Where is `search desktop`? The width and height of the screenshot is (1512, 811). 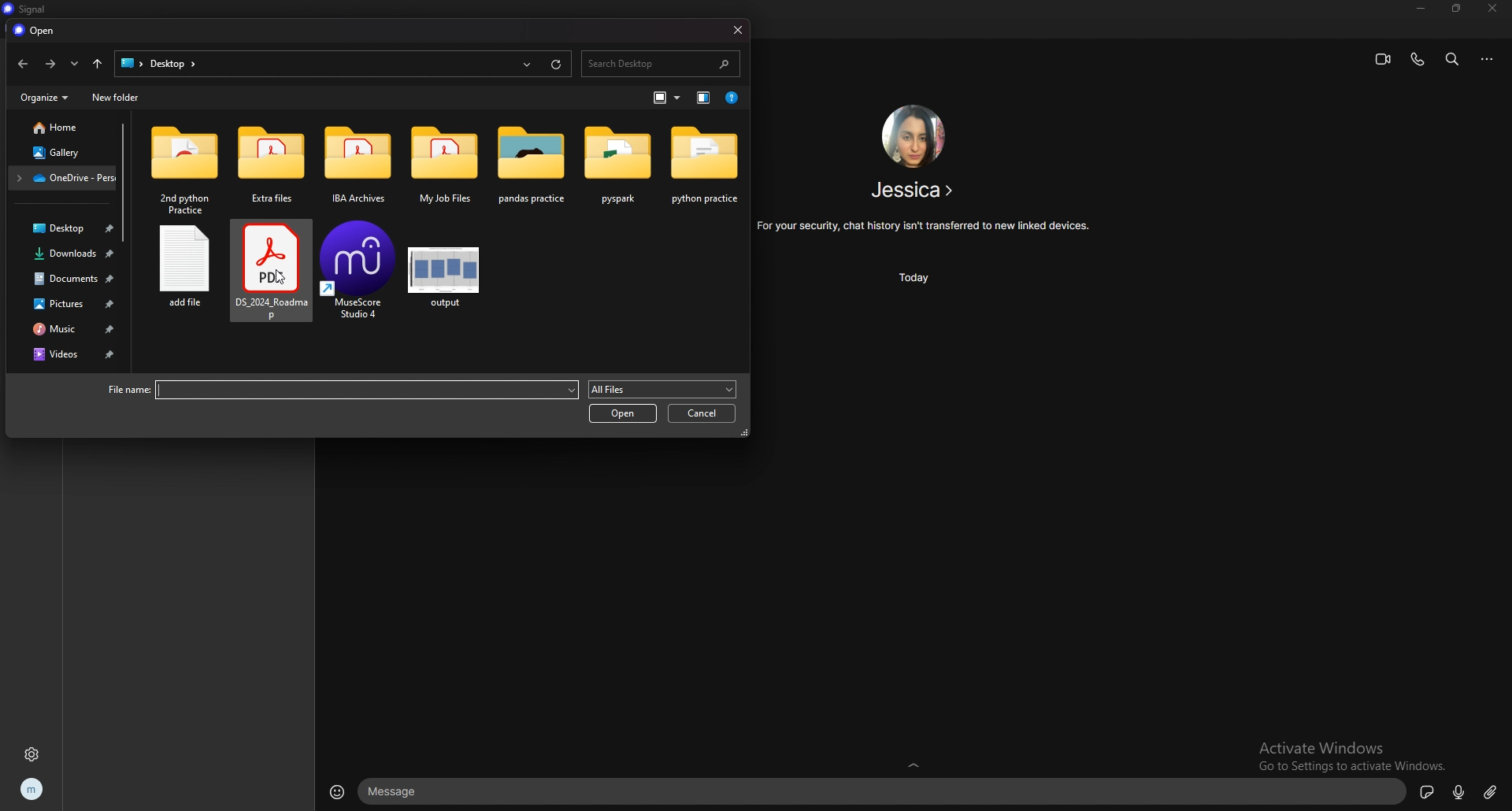 search desktop is located at coordinates (659, 64).